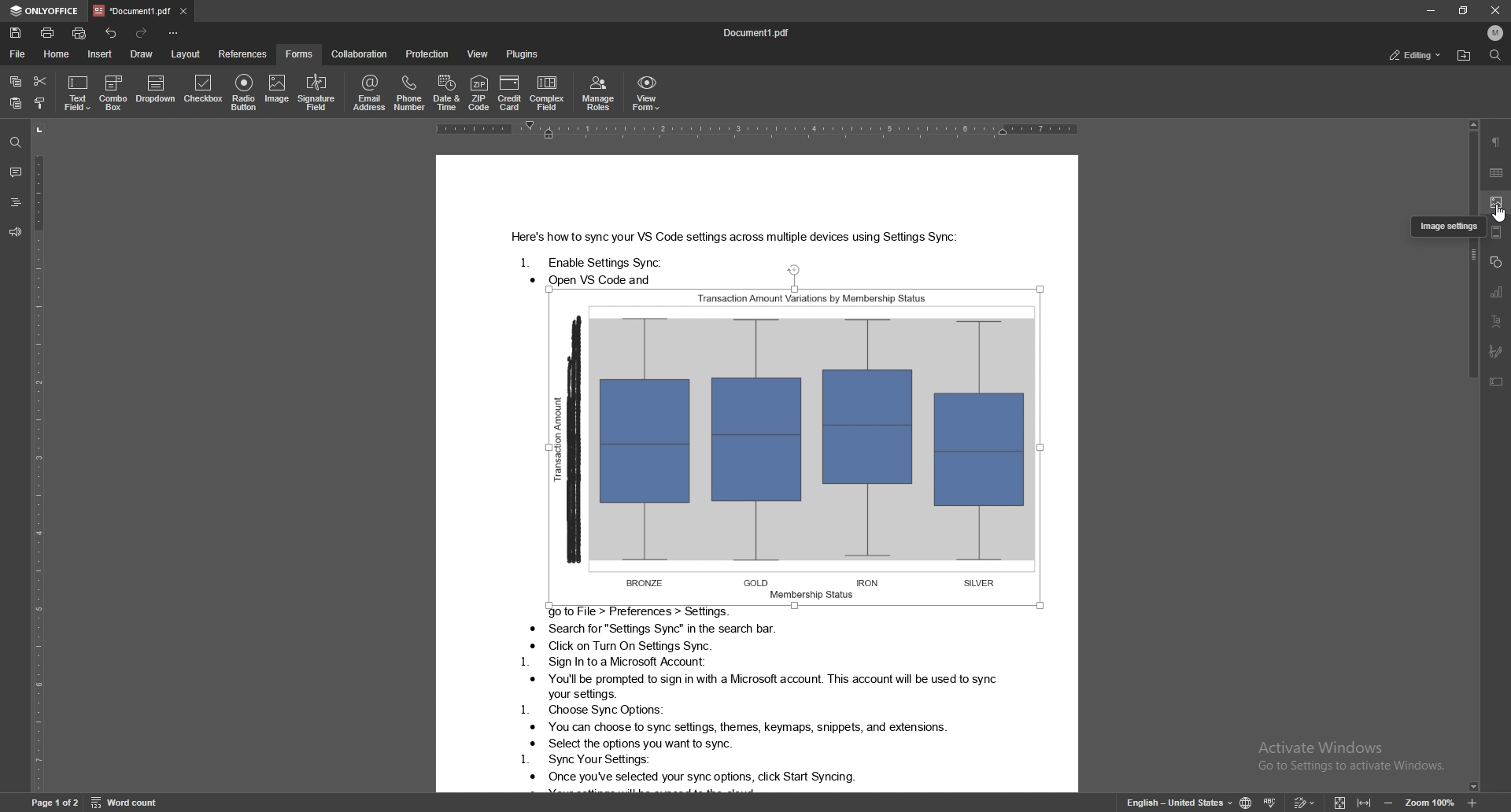 This screenshot has height=812, width=1511. I want to click on Text, so click(778, 701).